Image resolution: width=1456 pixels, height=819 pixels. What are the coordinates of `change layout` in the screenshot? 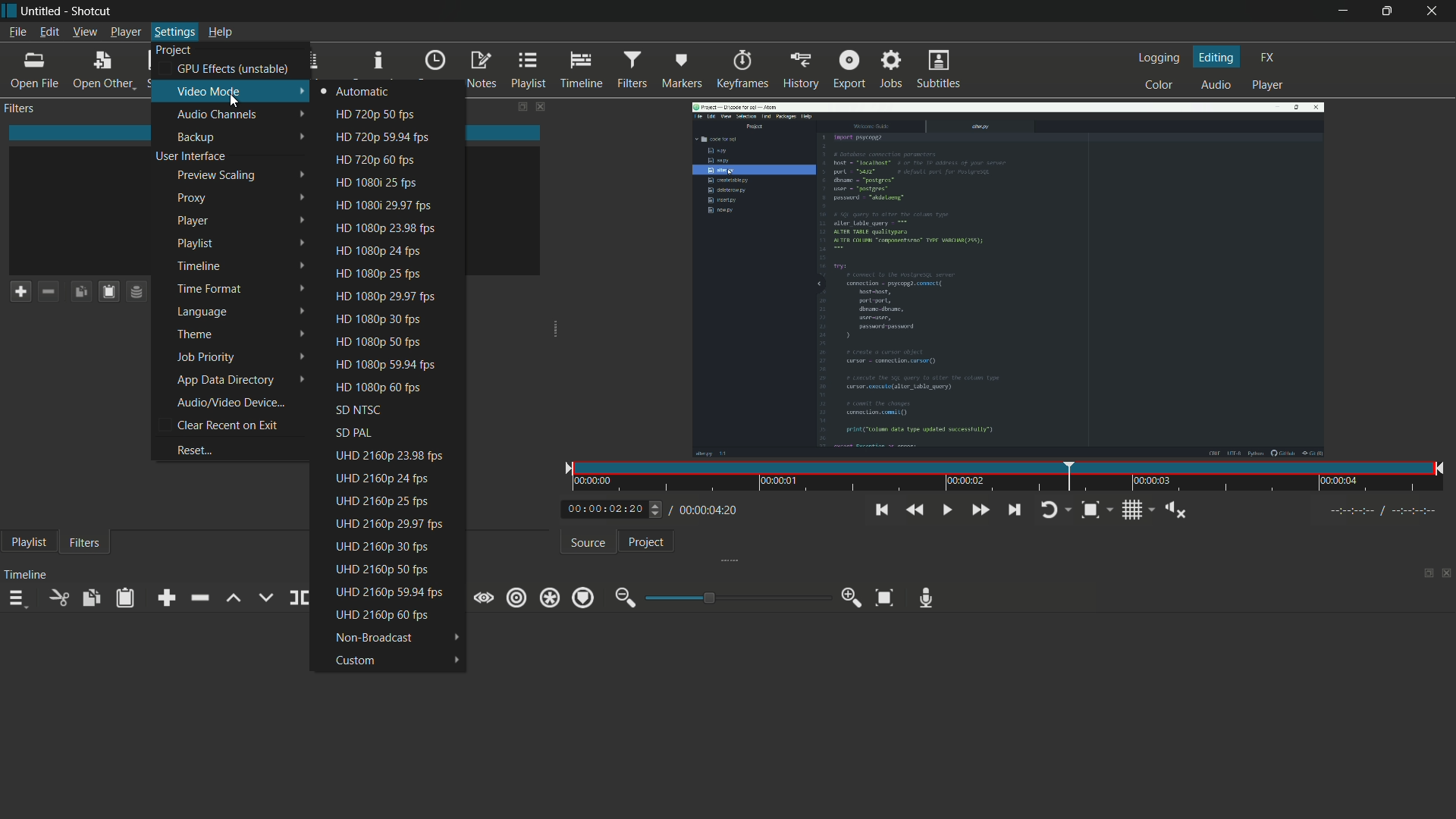 It's located at (519, 108).